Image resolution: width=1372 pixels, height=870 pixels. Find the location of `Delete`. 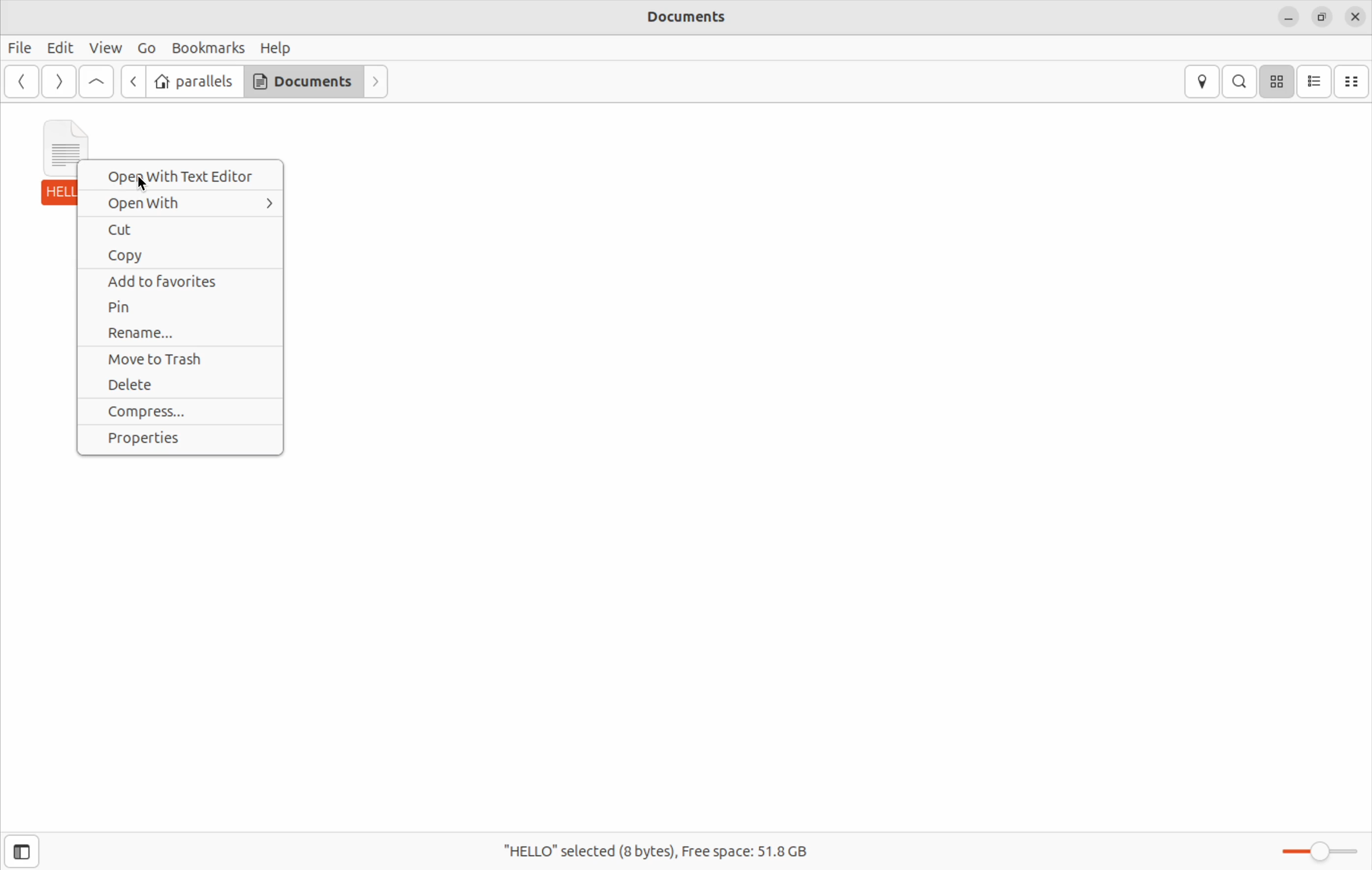

Delete is located at coordinates (183, 385).